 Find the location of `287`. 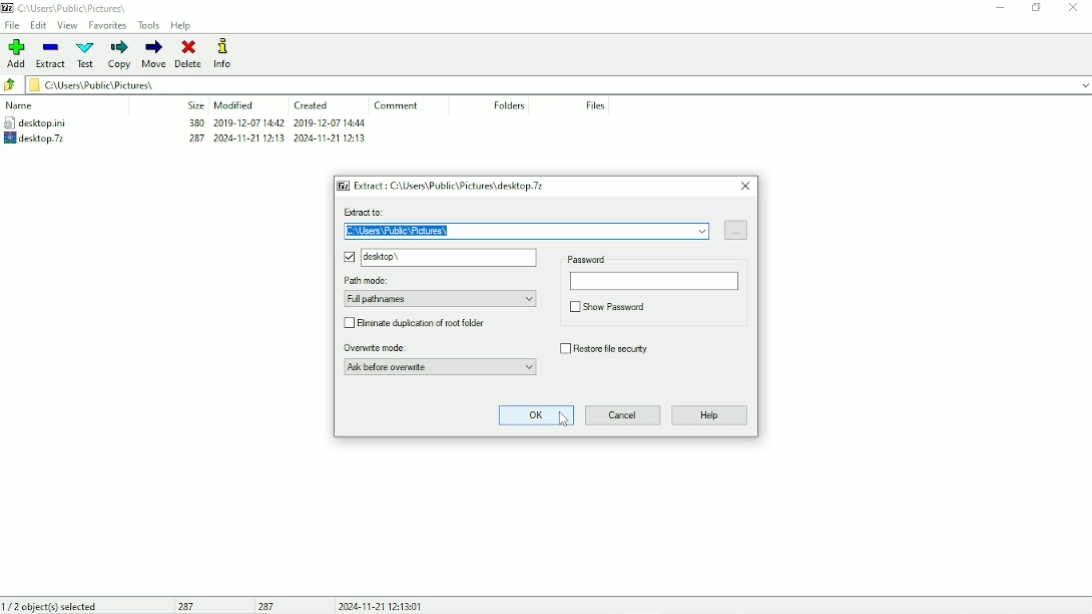

287 is located at coordinates (191, 606).